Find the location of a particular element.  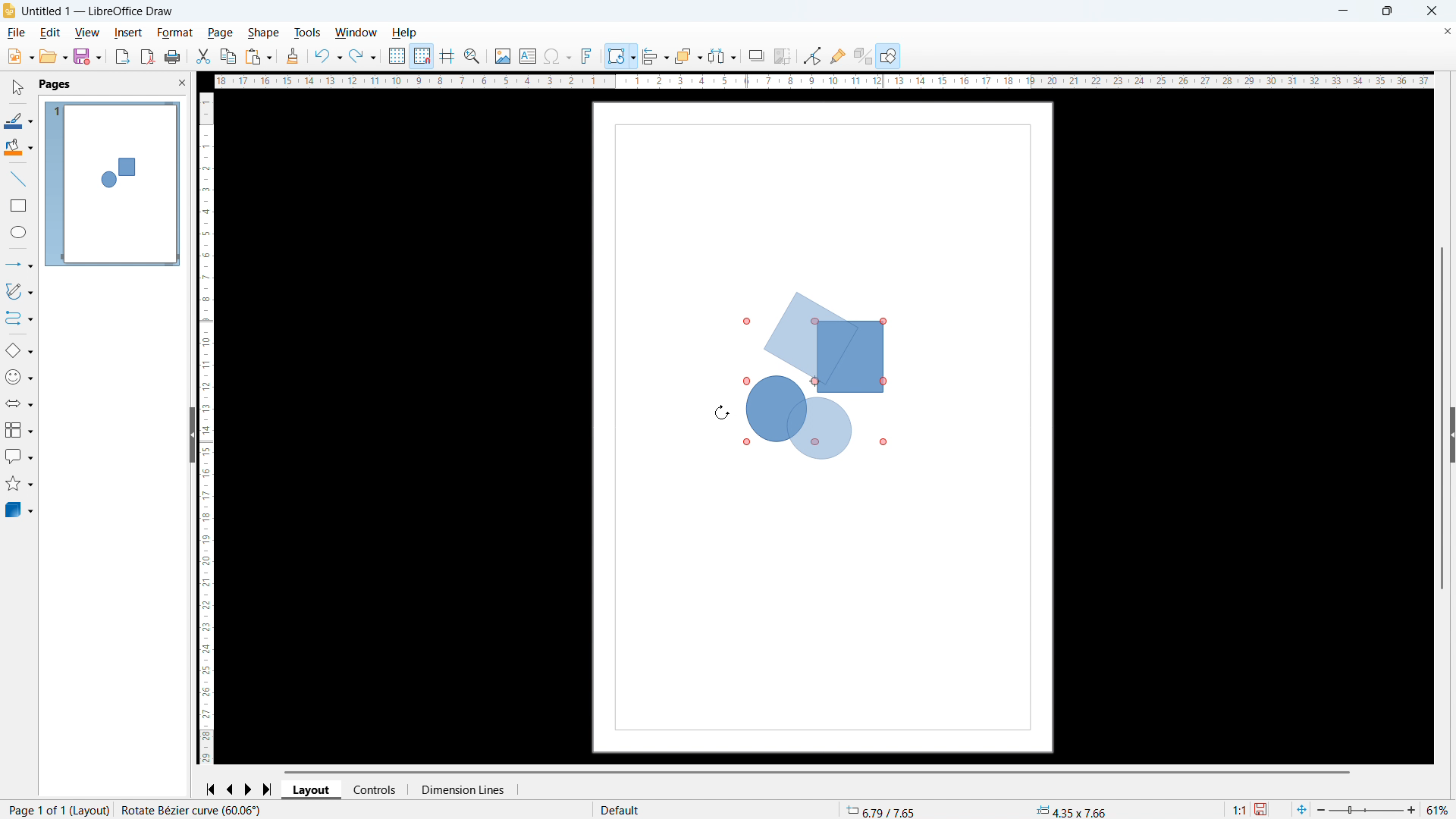

Default page style  is located at coordinates (623, 811).